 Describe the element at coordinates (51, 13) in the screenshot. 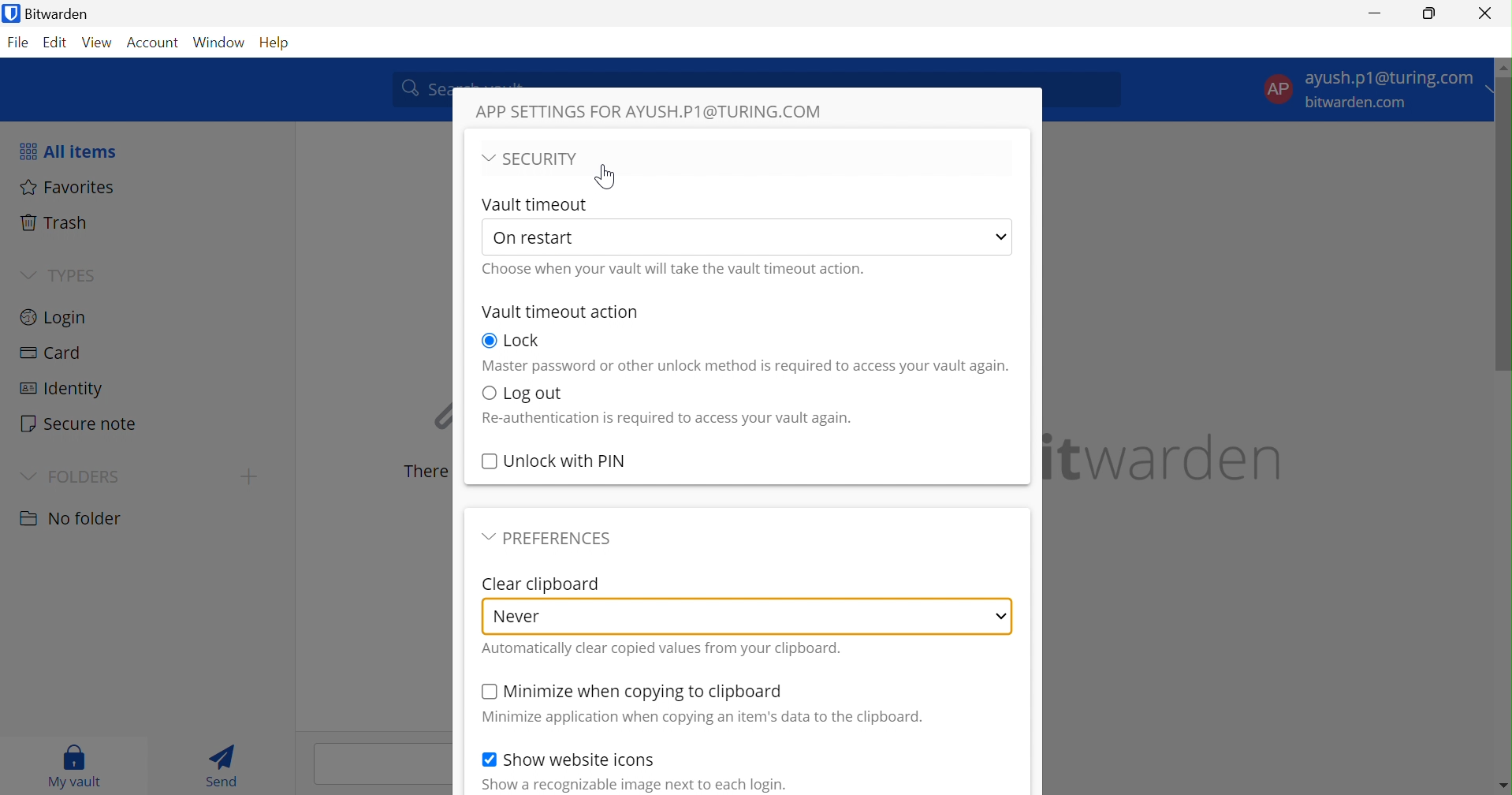

I see `Bitwarden` at that location.